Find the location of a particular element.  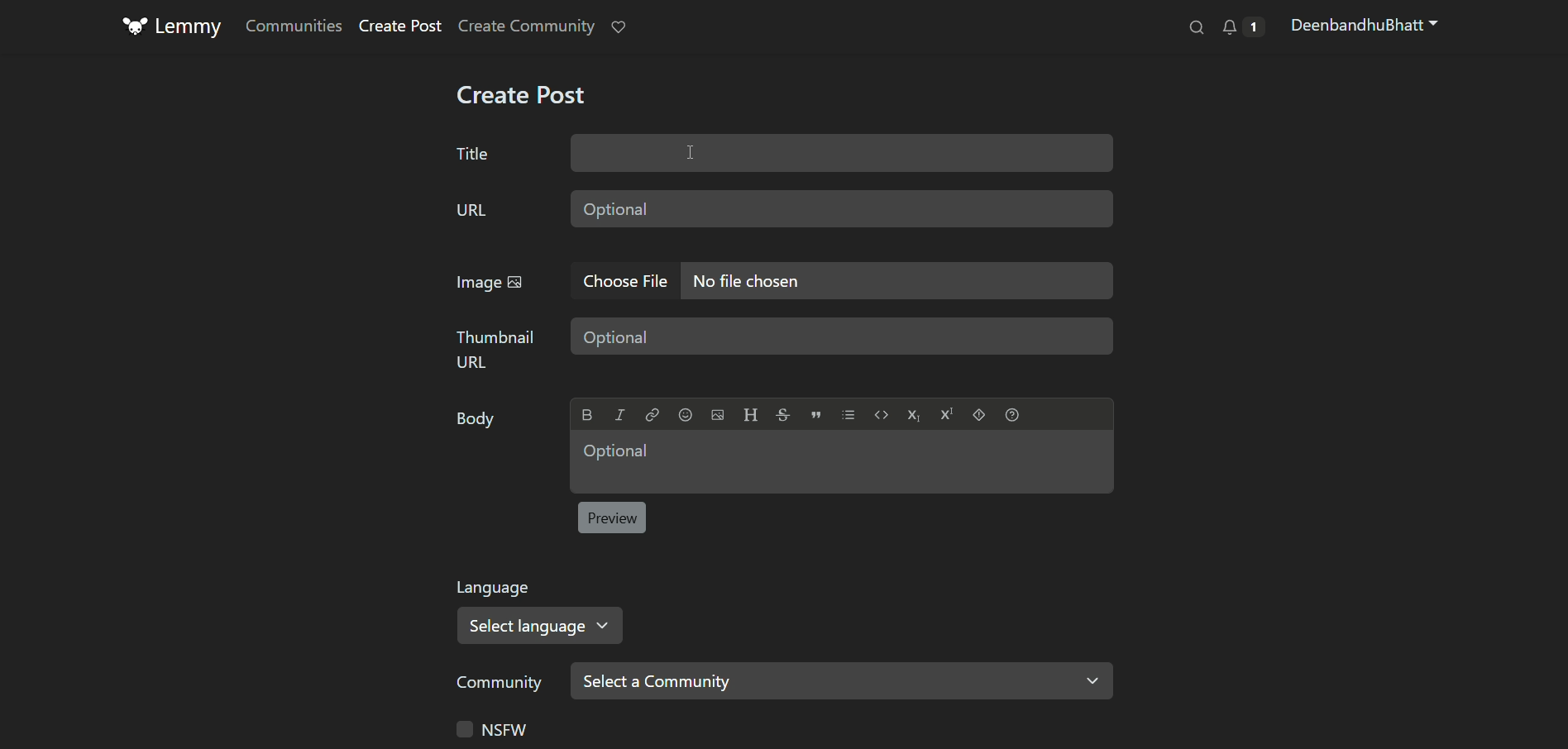

create post is located at coordinates (401, 27).